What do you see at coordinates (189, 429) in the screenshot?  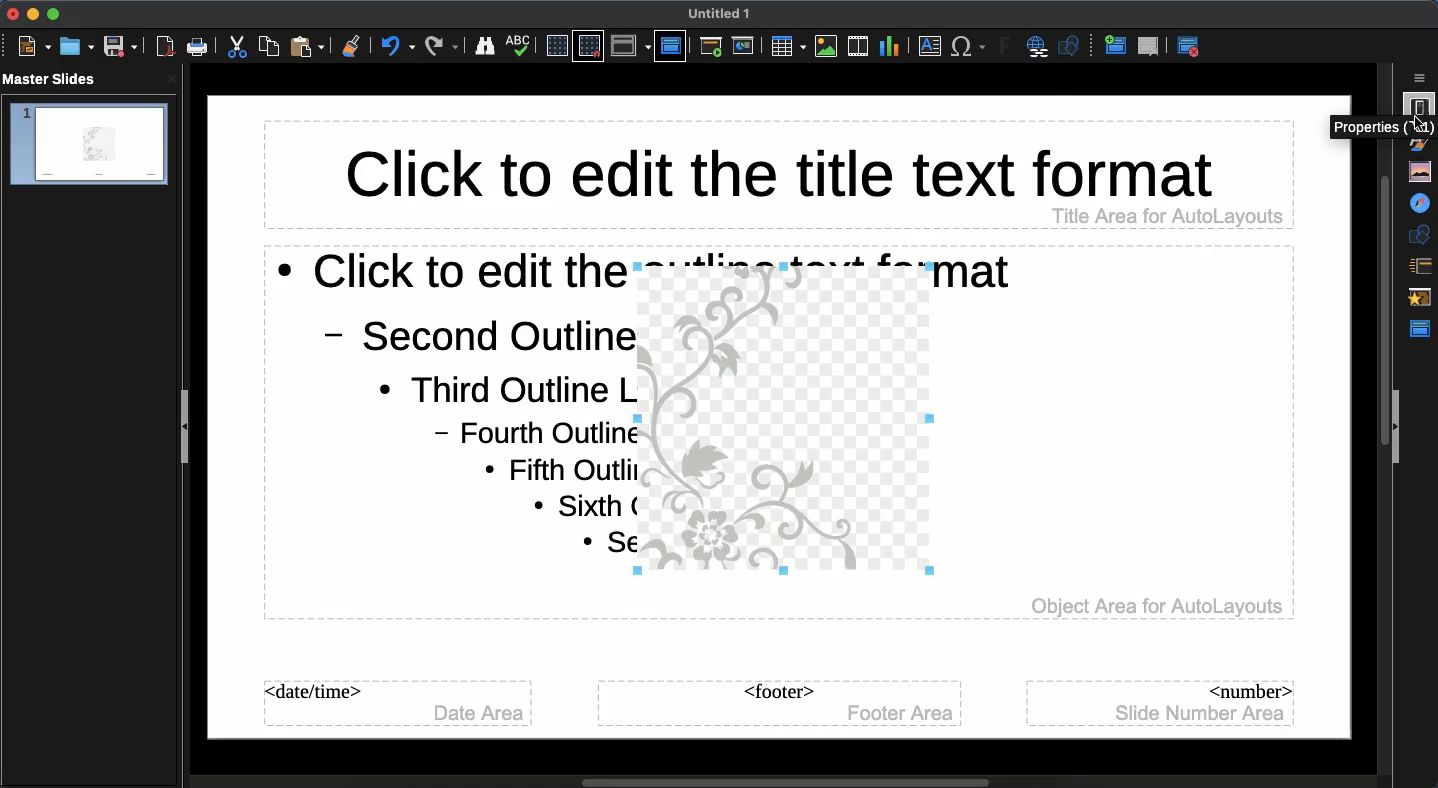 I see `Collapse` at bounding box center [189, 429].